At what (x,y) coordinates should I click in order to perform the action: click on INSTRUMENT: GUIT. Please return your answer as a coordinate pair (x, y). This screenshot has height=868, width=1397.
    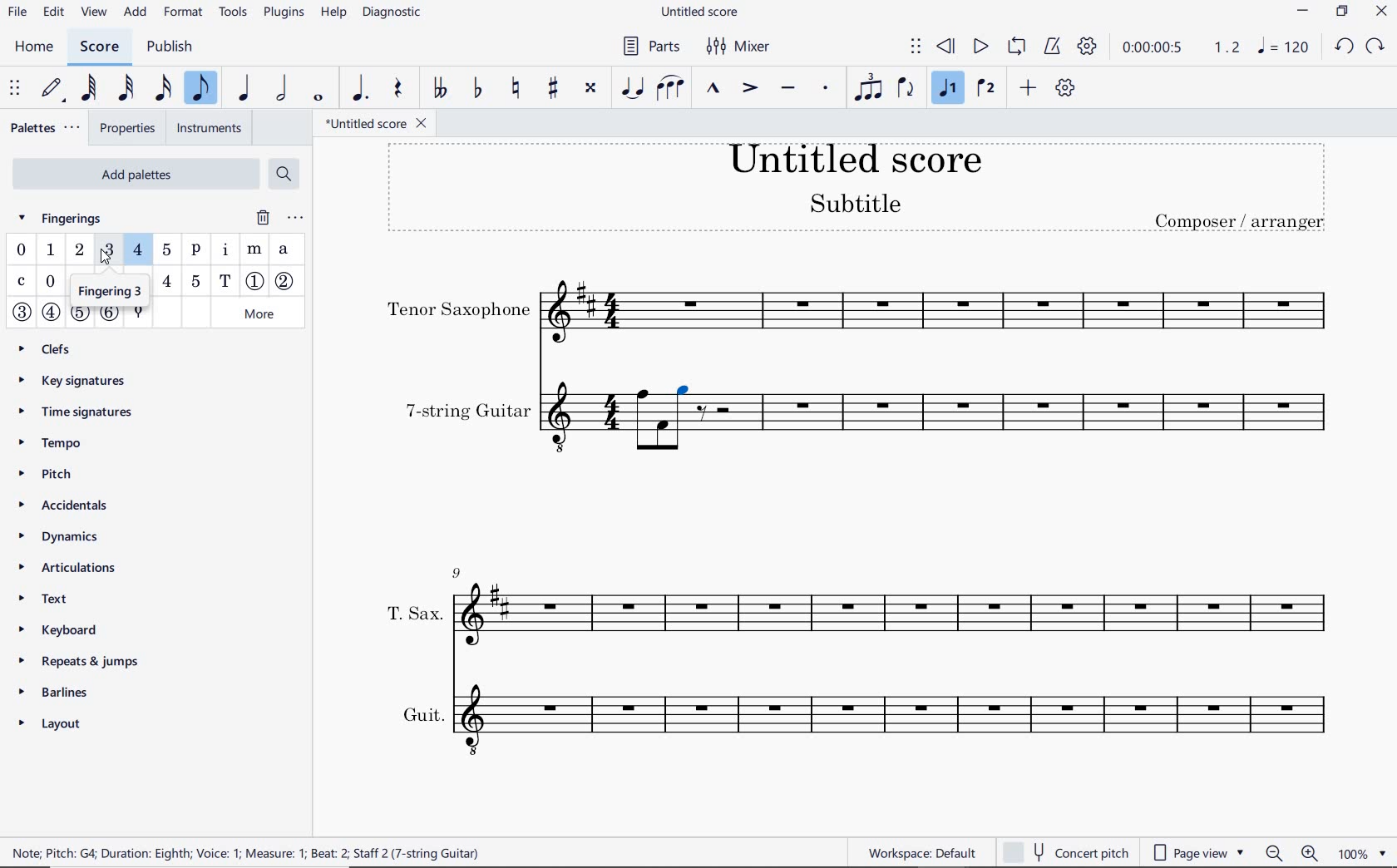
    Looking at the image, I should click on (856, 717).